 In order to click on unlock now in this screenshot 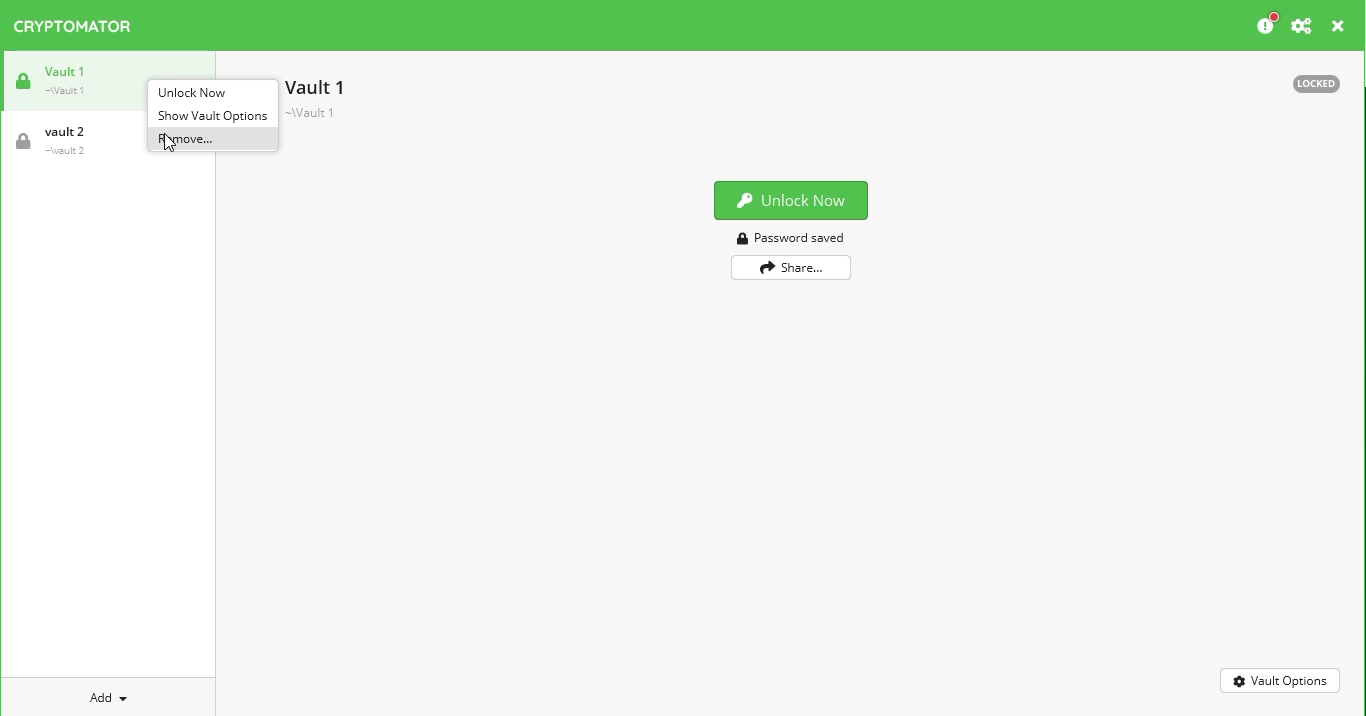, I will do `click(198, 93)`.